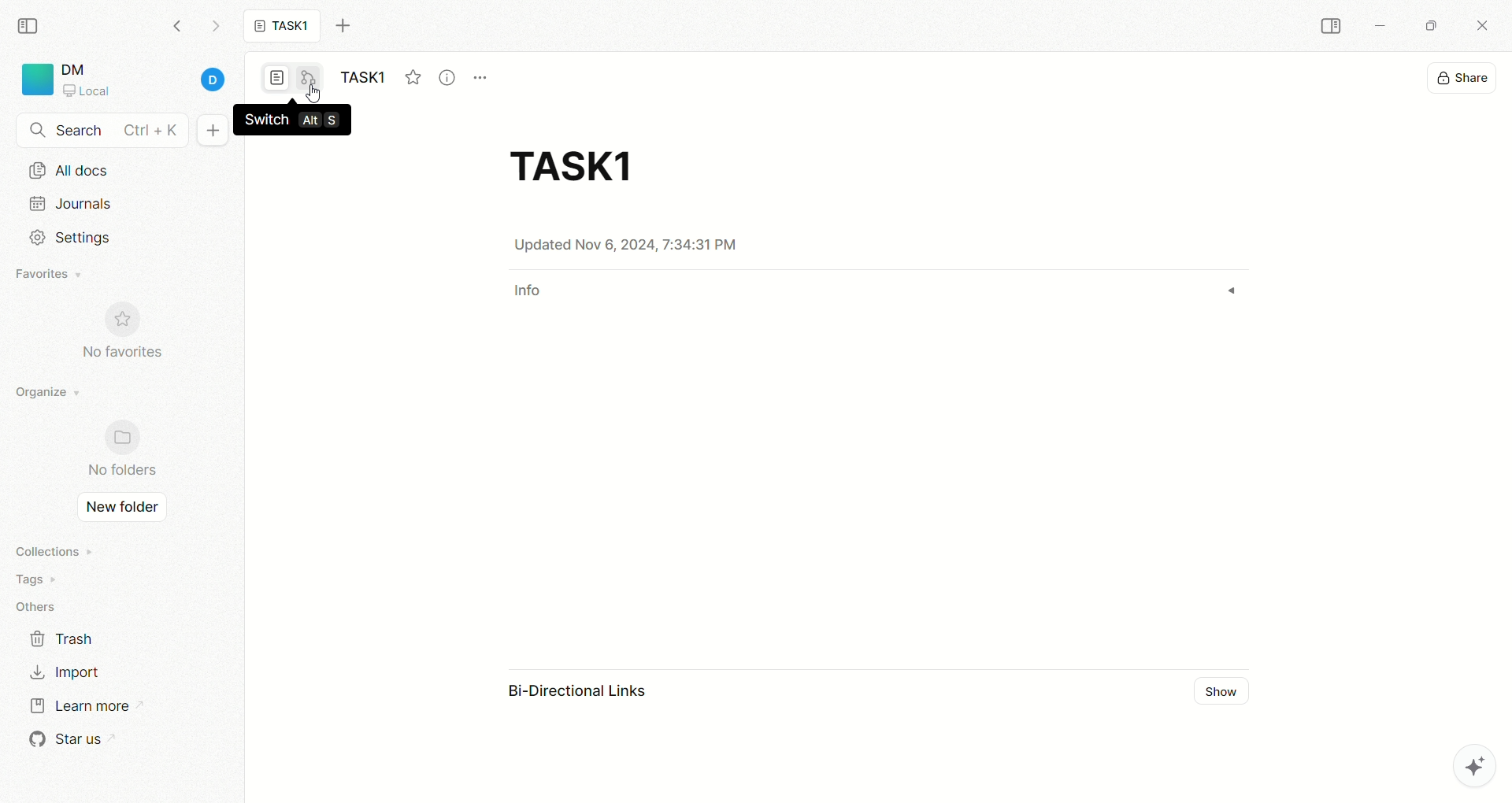  I want to click on AFFiNE AI, so click(1458, 762).